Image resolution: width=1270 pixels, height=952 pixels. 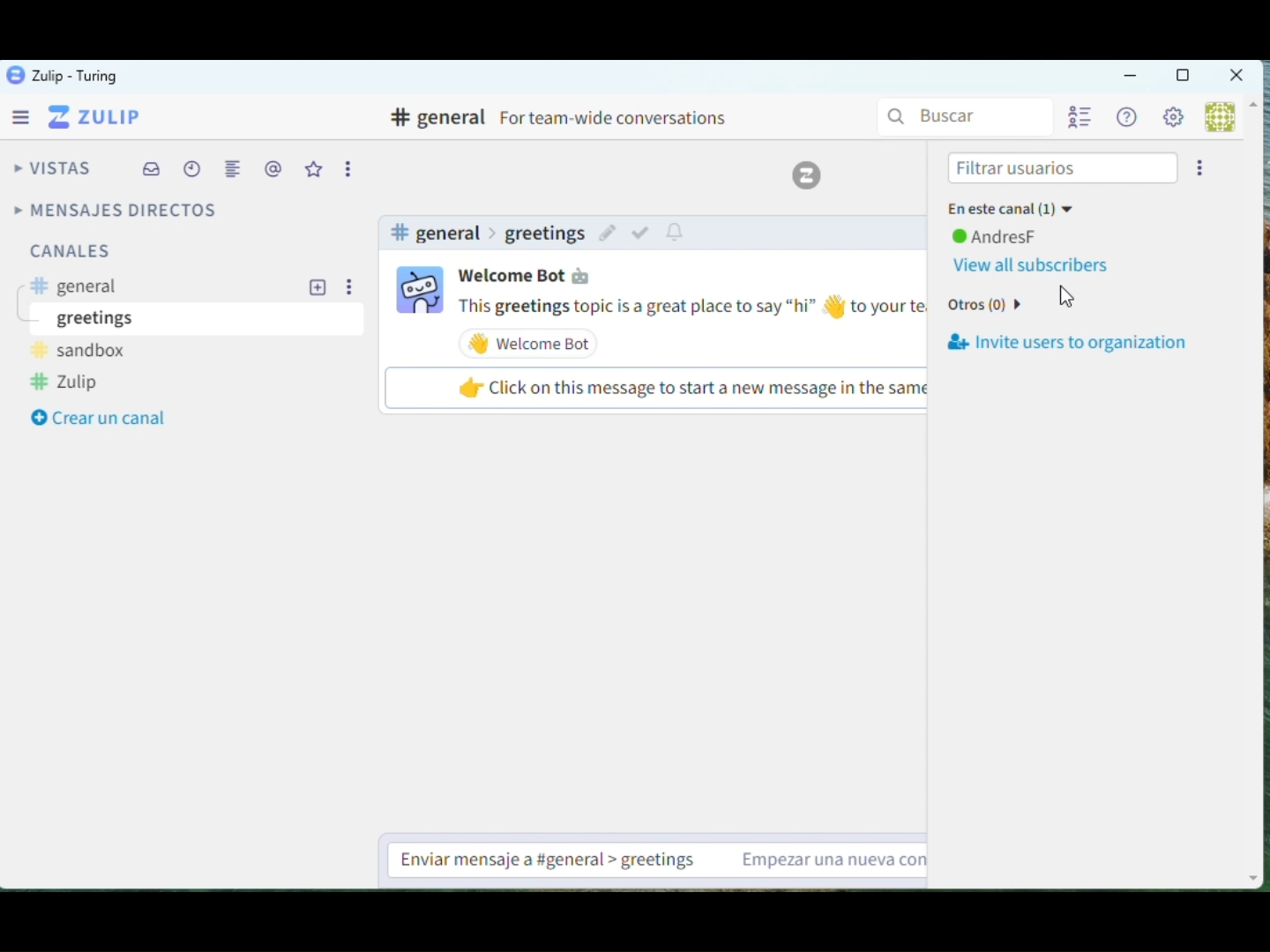 I want to click on options, so click(x=1200, y=168).